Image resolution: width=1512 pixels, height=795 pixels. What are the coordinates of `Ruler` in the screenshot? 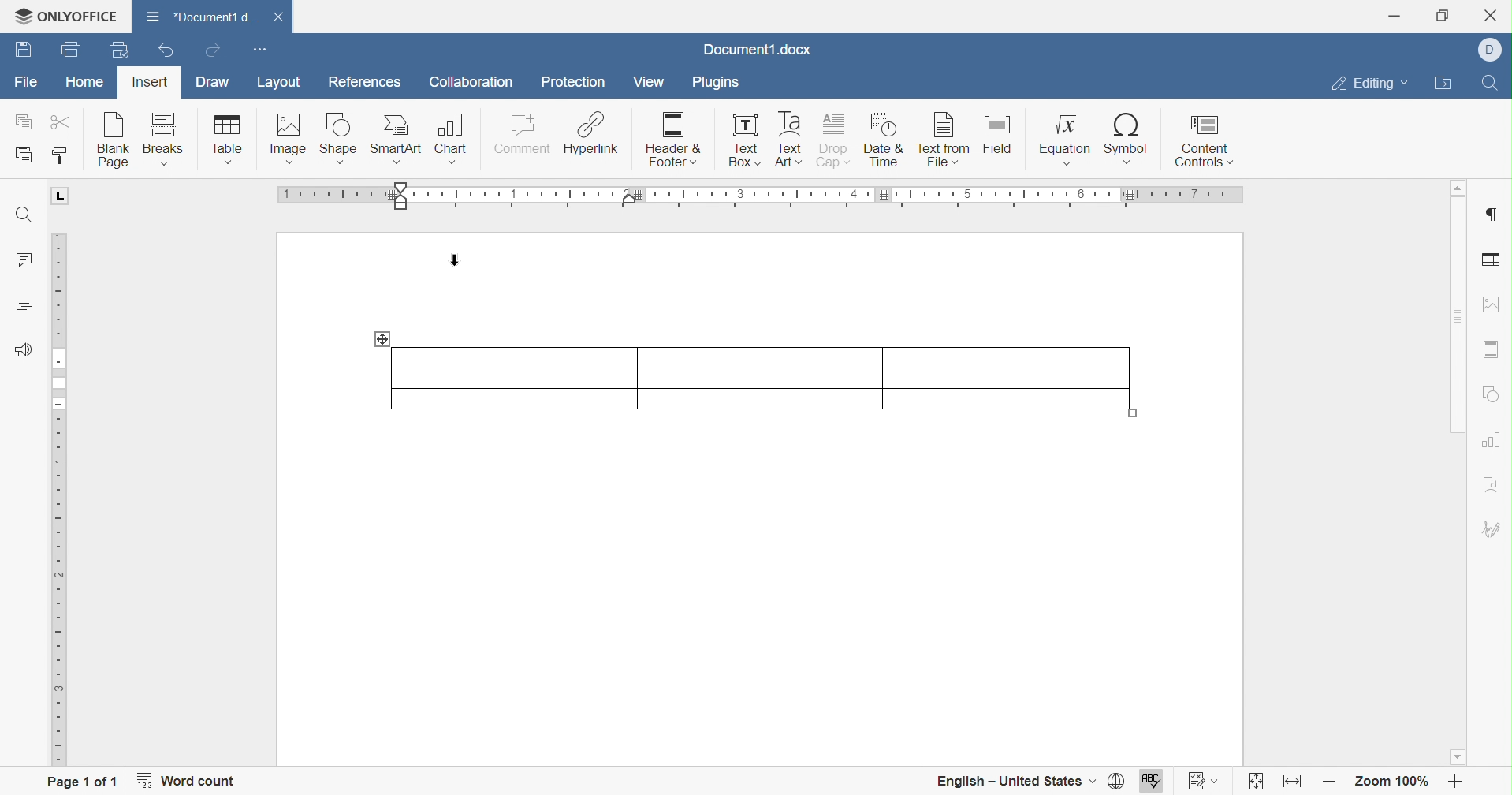 It's located at (61, 473).